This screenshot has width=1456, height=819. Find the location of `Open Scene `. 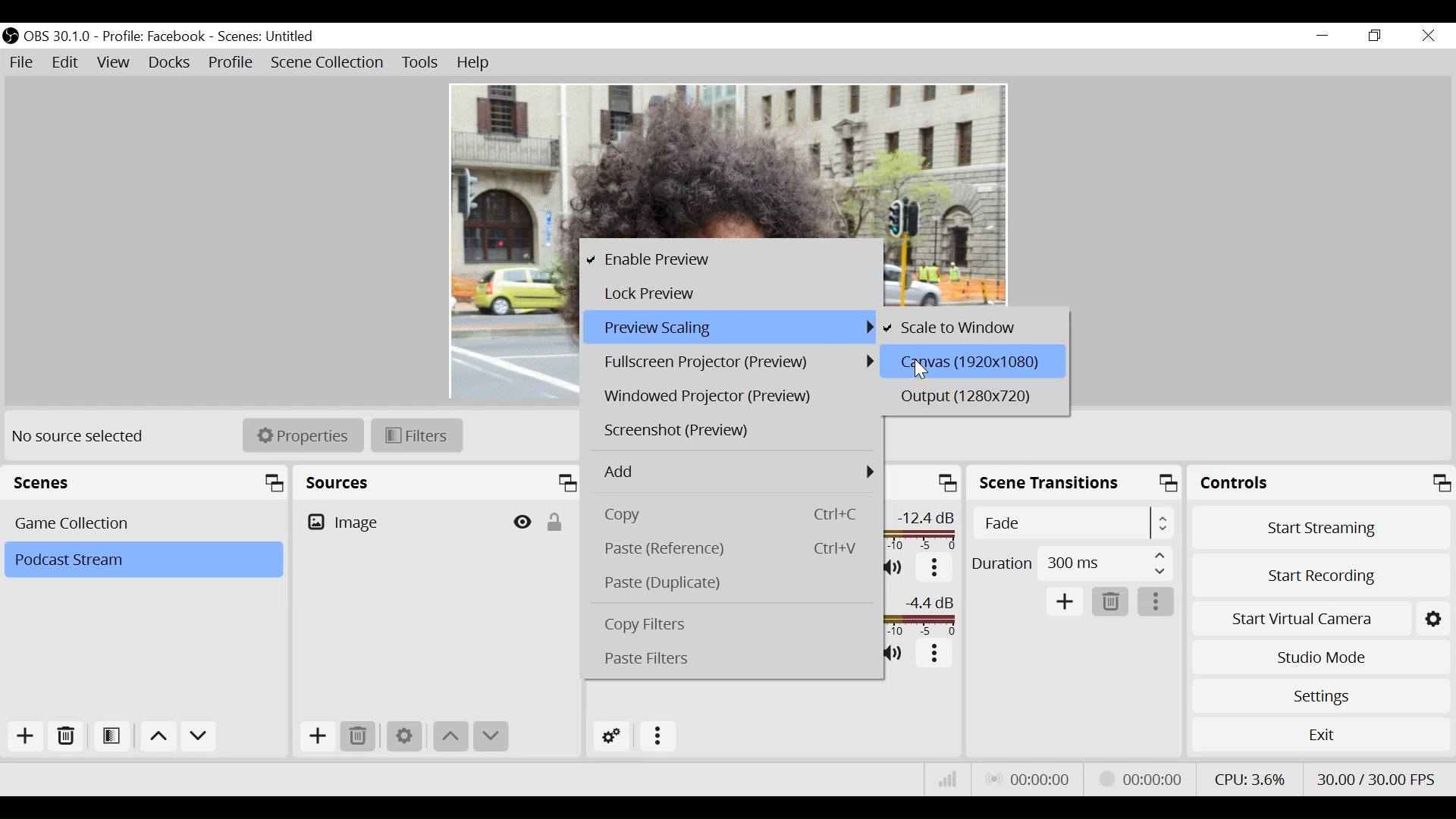

Open Scene  is located at coordinates (110, 737).